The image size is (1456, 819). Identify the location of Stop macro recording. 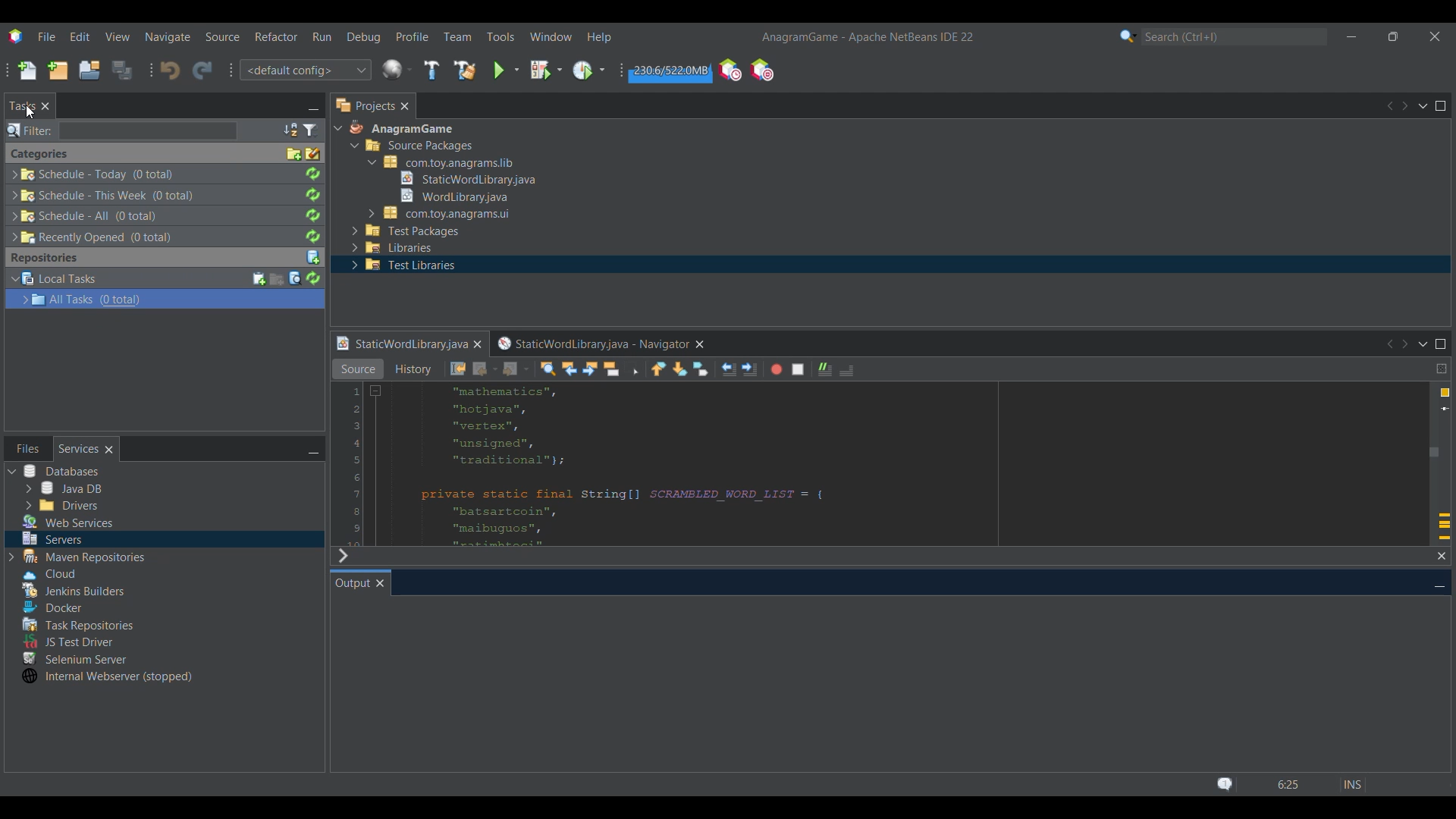
(798, 369).